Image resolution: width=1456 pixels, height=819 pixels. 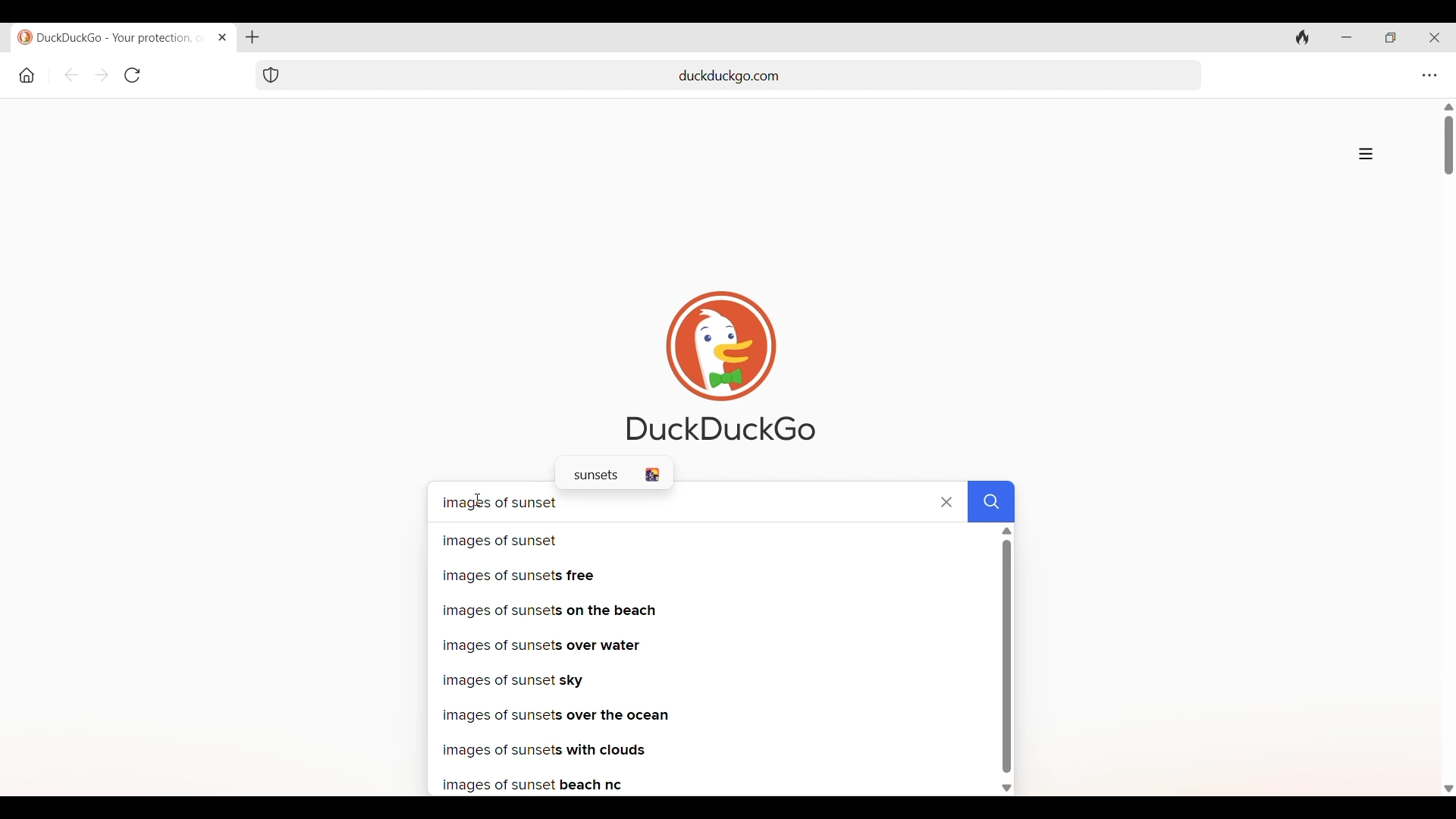 I want to click on Quick slide to bottom, so click(x=1008, y=789).